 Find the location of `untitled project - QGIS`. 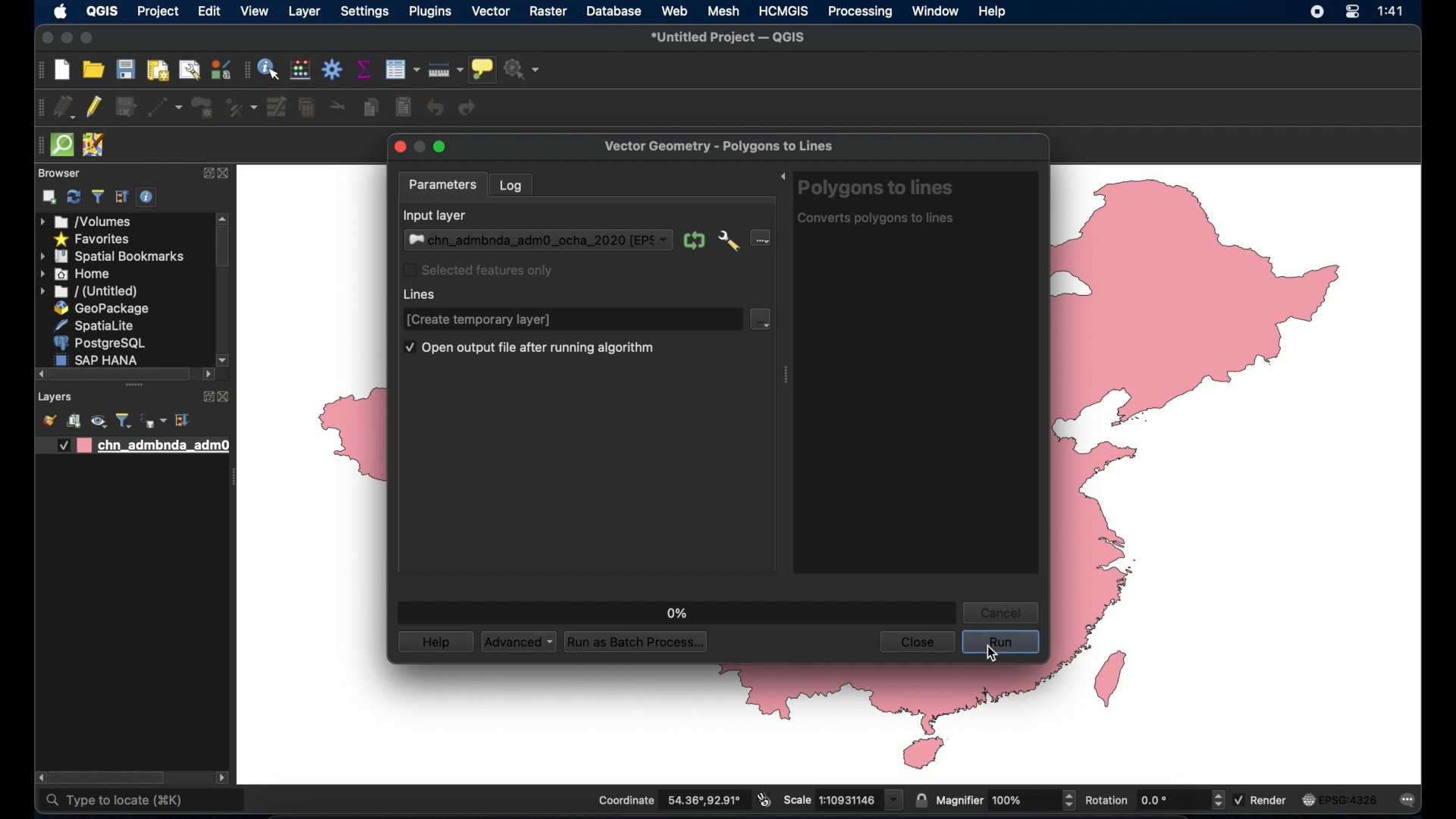

untitled project - QGIS is located at coordinates (729, 39).